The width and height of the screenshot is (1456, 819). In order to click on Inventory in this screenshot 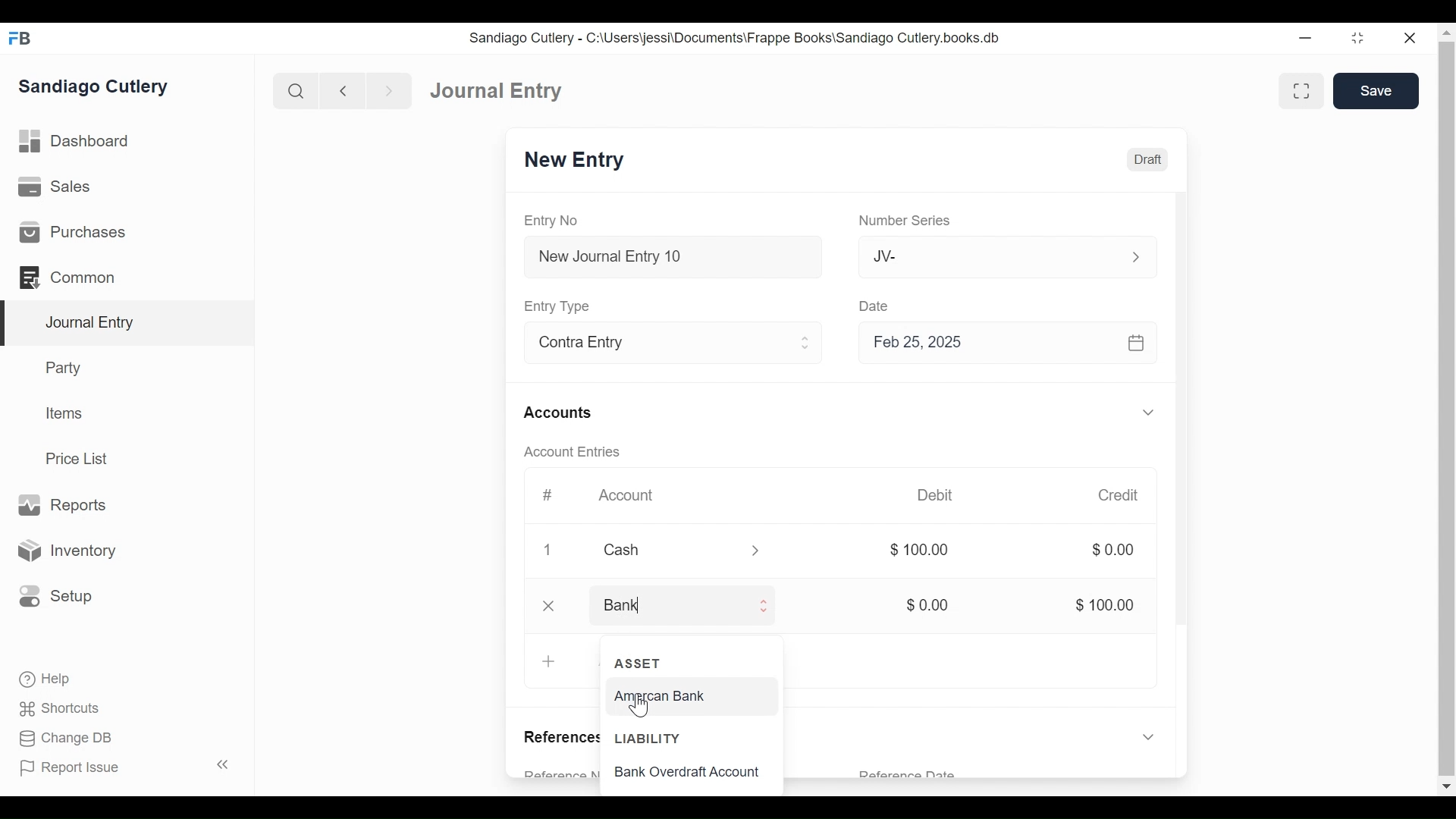, I will do `click(71, 550)`.